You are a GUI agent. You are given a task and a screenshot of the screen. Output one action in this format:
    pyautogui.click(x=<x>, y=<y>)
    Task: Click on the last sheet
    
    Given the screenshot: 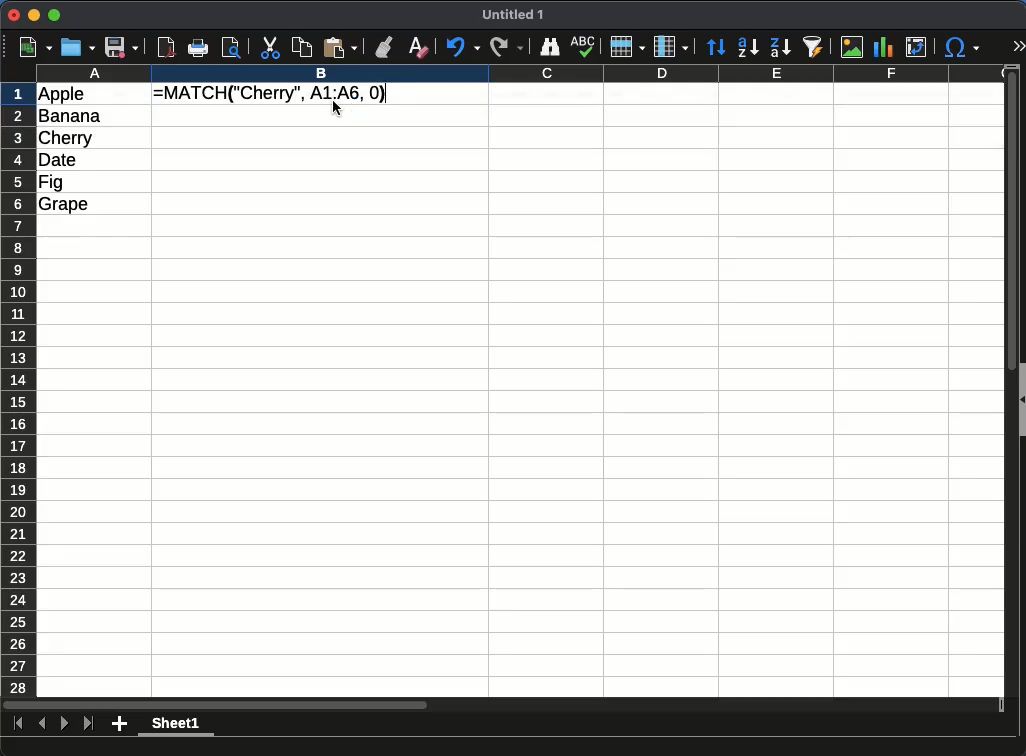 What is the action you would take?
    pyautogui.click(x=89, y=724)
    